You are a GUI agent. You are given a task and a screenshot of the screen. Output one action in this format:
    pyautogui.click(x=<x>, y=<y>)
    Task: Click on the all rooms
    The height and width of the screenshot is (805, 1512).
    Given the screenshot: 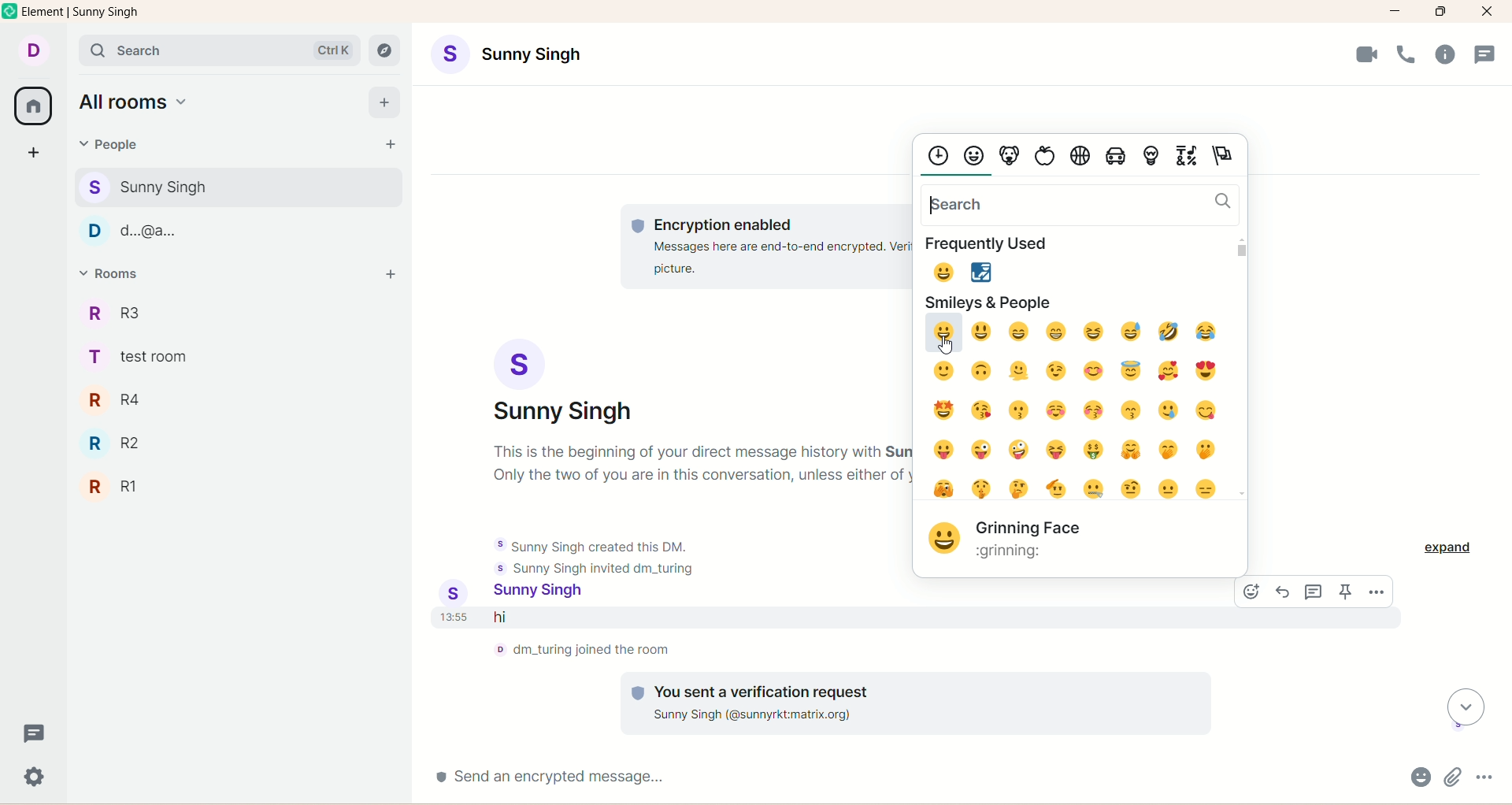 What is the action you would take?
    pyautogui.click(x=32, y=106)
    